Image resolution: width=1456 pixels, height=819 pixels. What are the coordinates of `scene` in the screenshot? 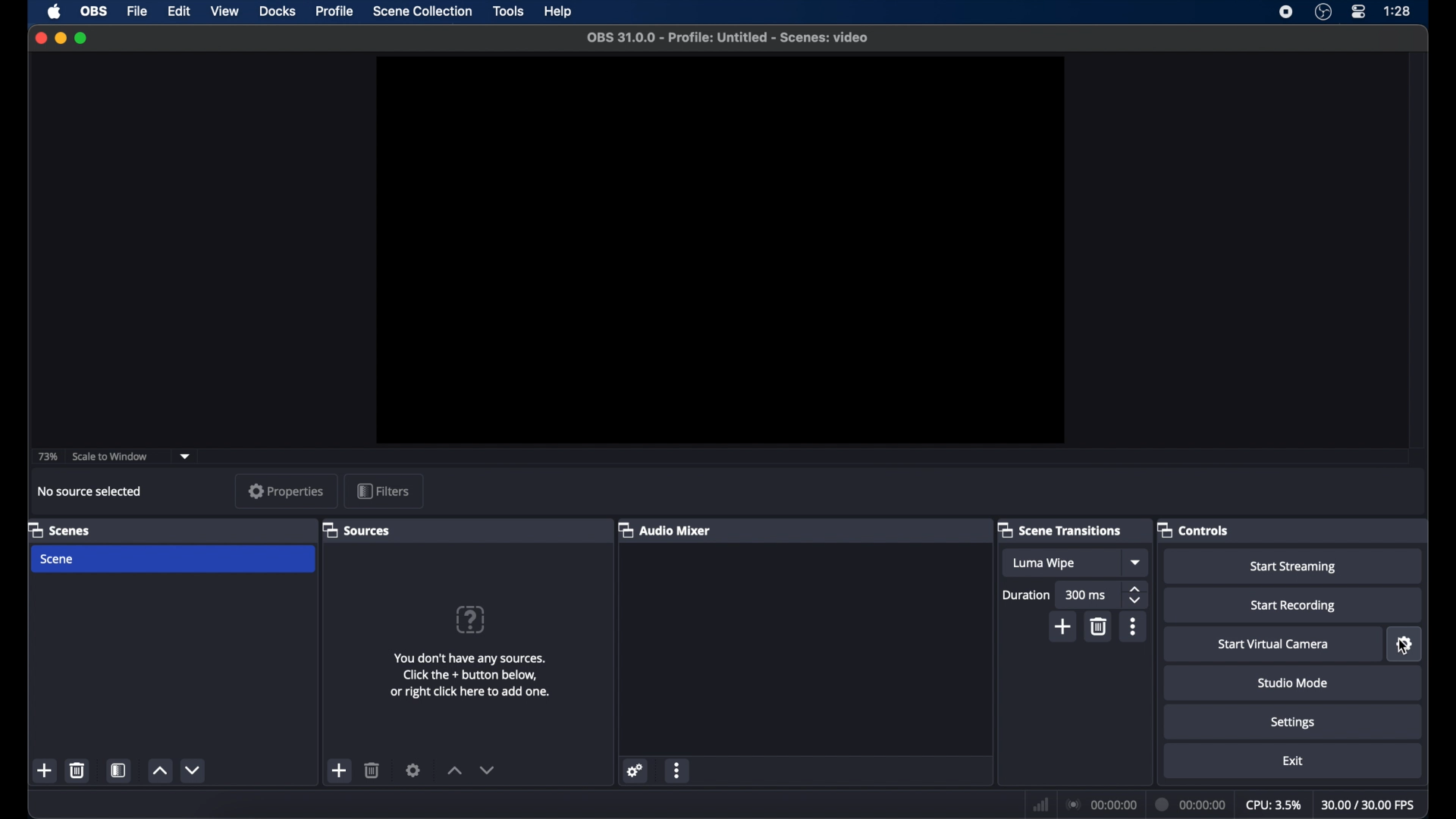 It's located at (173, 560).